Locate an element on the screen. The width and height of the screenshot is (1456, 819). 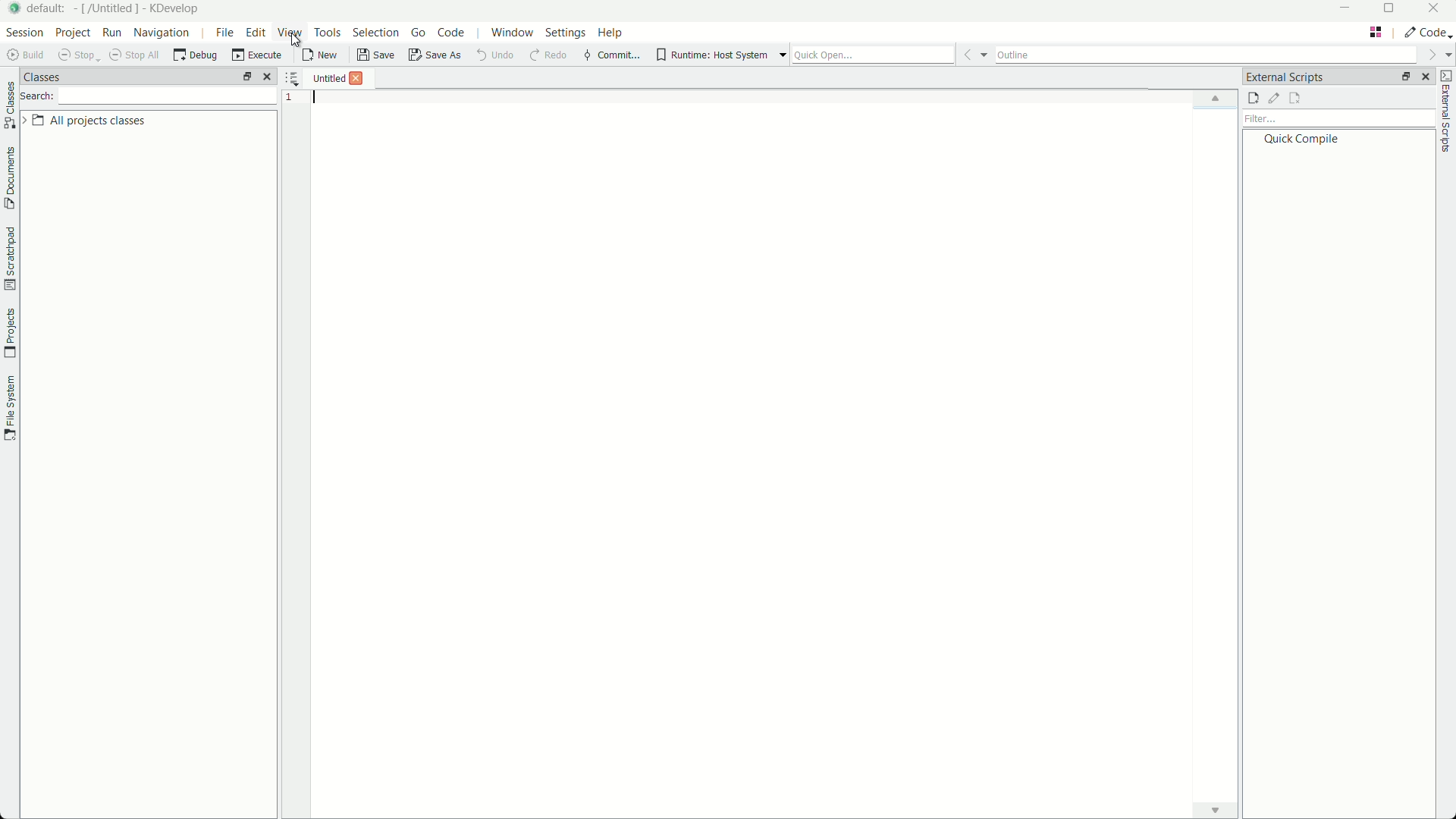
maximize or restore is located at coordinates (1389, 11).